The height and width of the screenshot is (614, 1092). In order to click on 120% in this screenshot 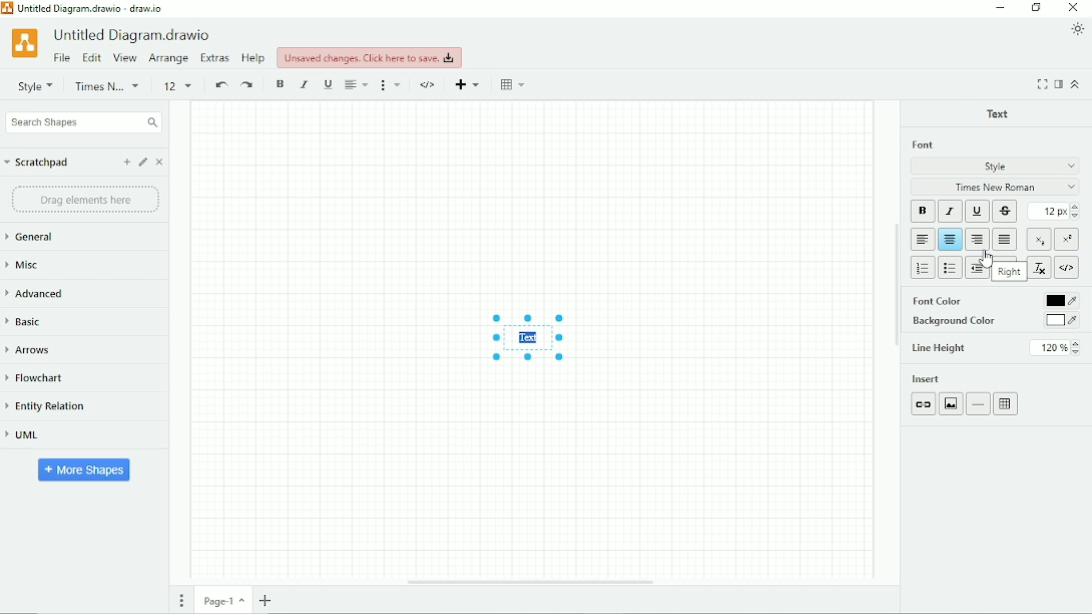, I will do `click(1060, 347)`.